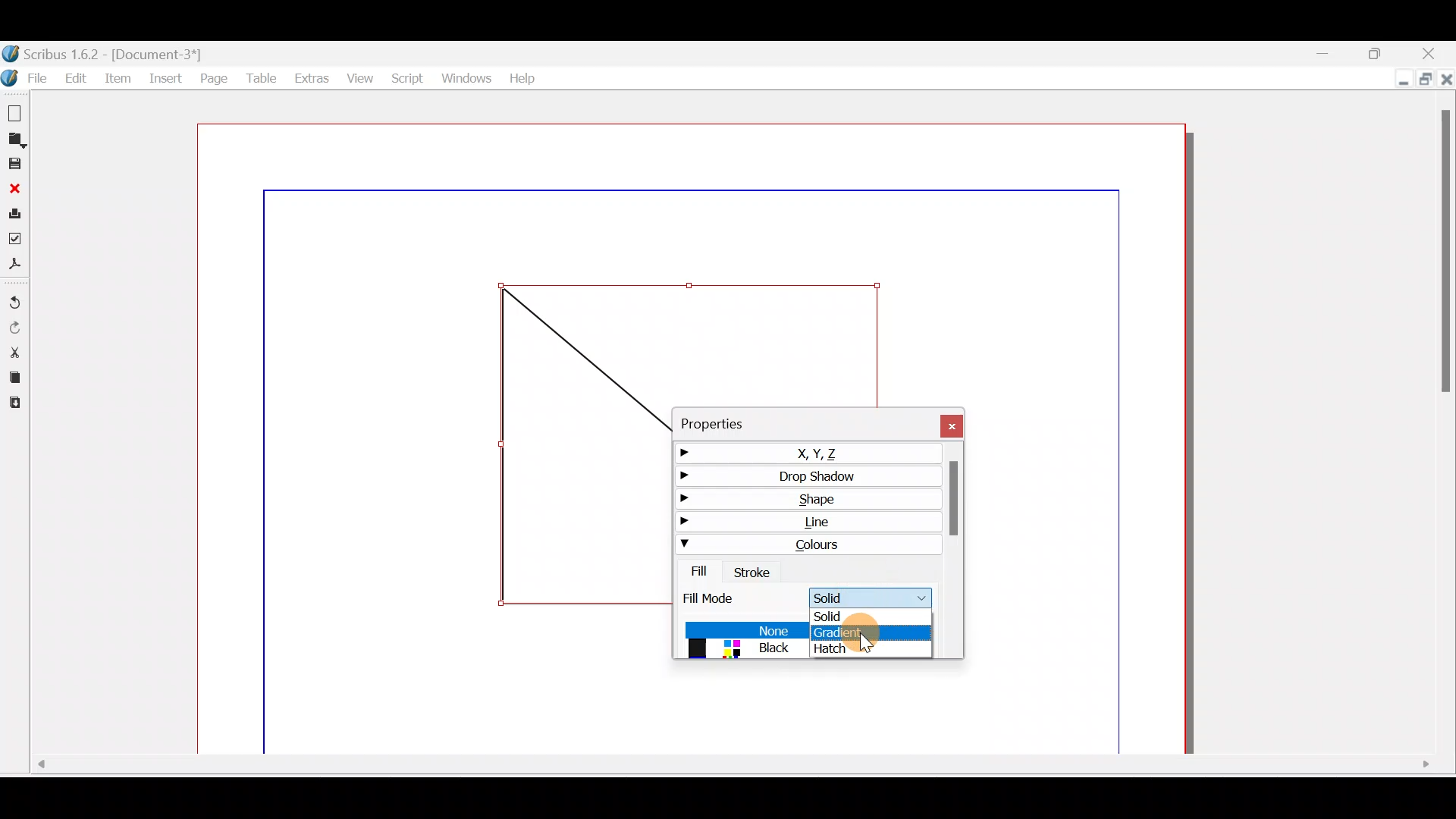  Describe the element at coordinates (17, 297) in the screenshot. I see `Undo` at that location.